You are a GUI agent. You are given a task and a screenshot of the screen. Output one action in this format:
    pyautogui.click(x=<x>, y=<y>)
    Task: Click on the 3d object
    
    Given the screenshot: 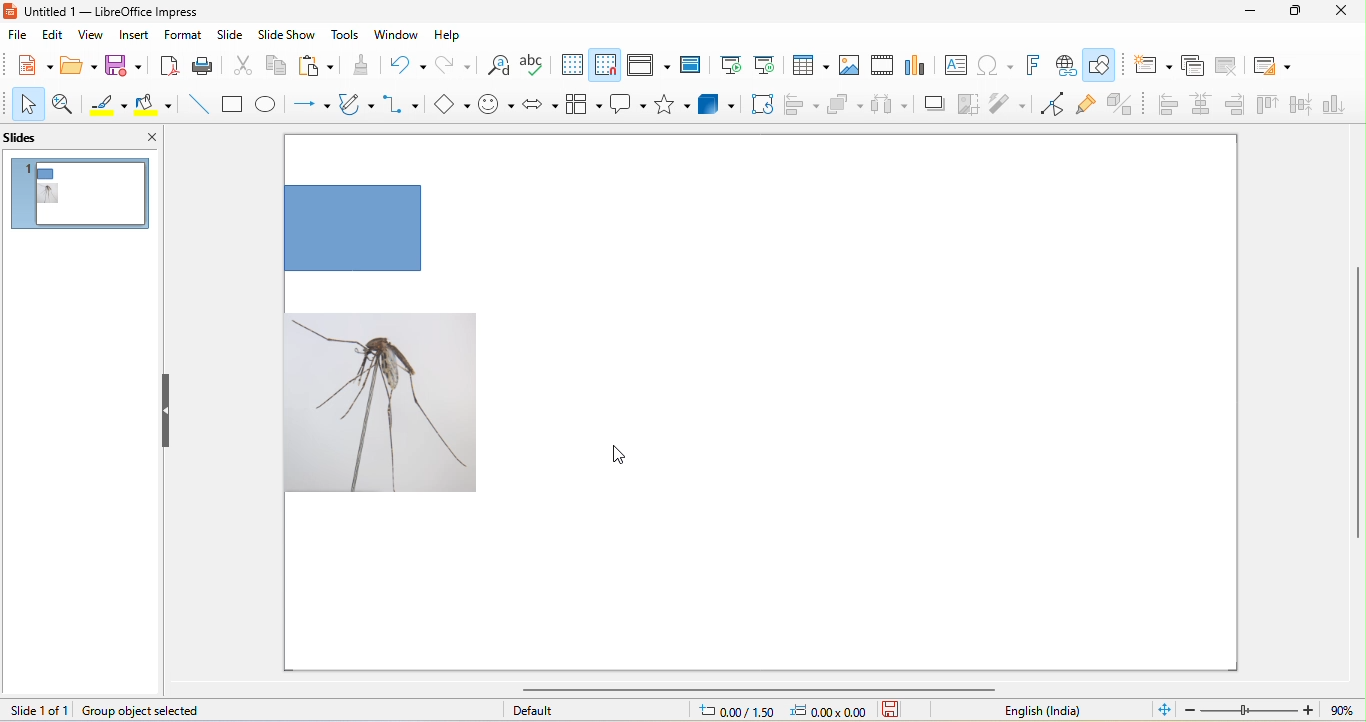 What is the action you would take?
    pyautogui.click(x=720, y=104)
    